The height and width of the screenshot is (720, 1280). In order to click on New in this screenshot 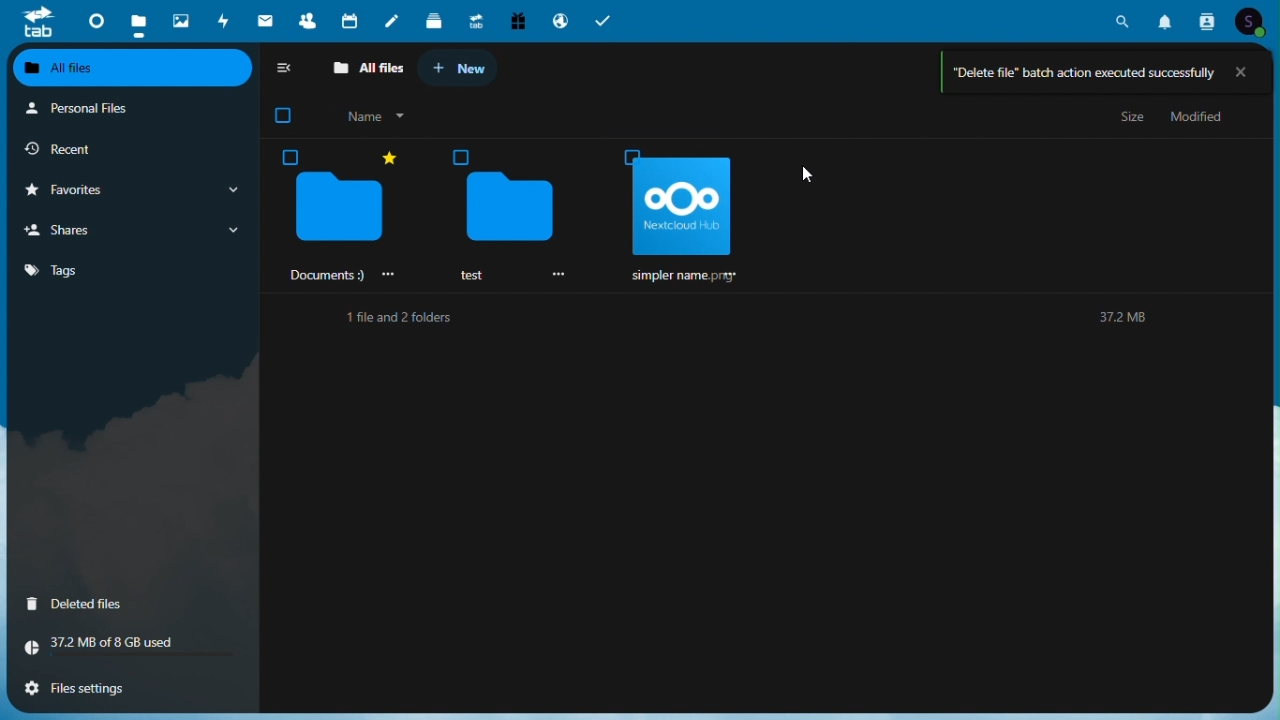, I will do `click(465, 66)`.